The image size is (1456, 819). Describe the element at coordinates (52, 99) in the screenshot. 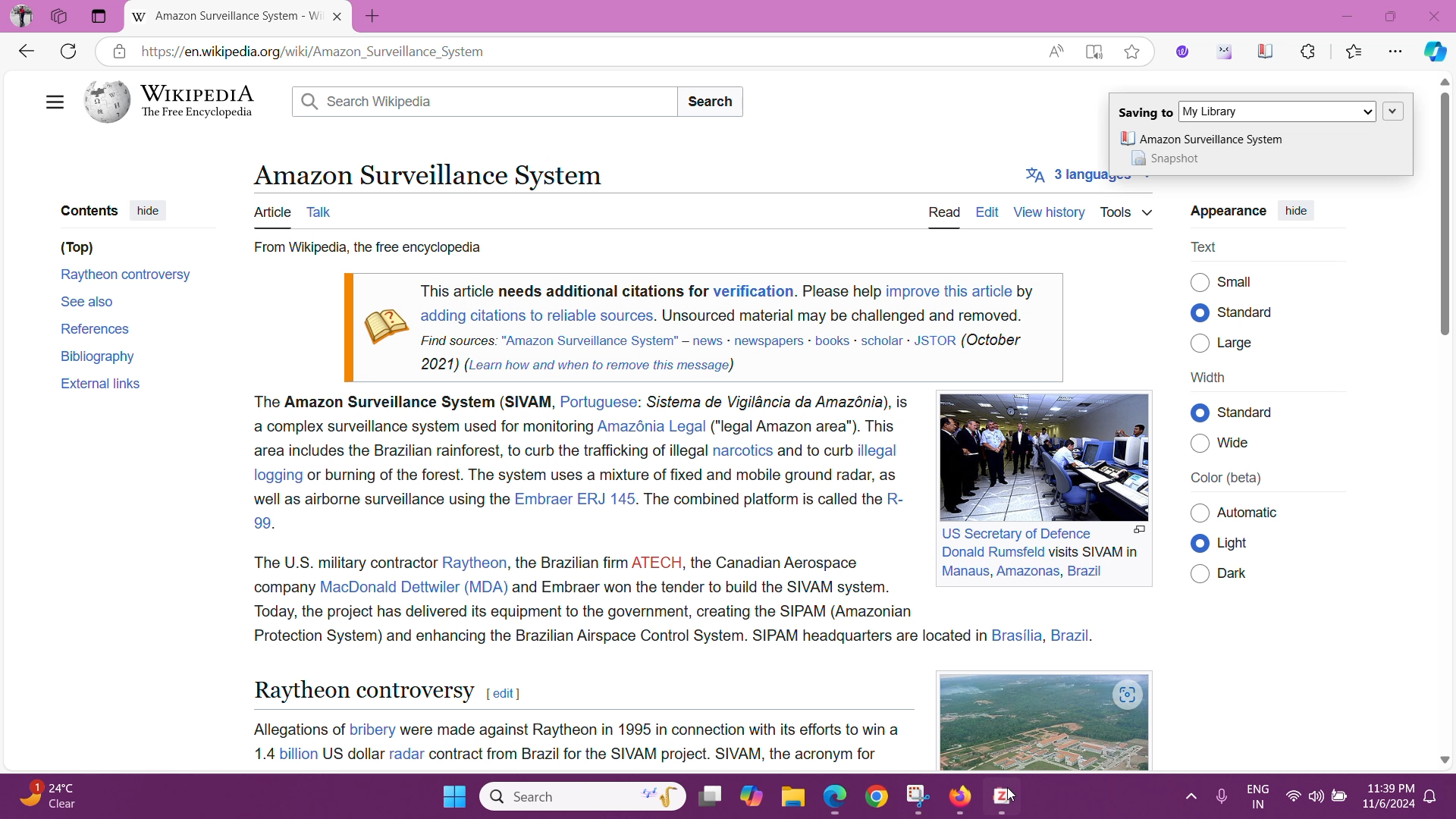

I see `Menu` at that location.